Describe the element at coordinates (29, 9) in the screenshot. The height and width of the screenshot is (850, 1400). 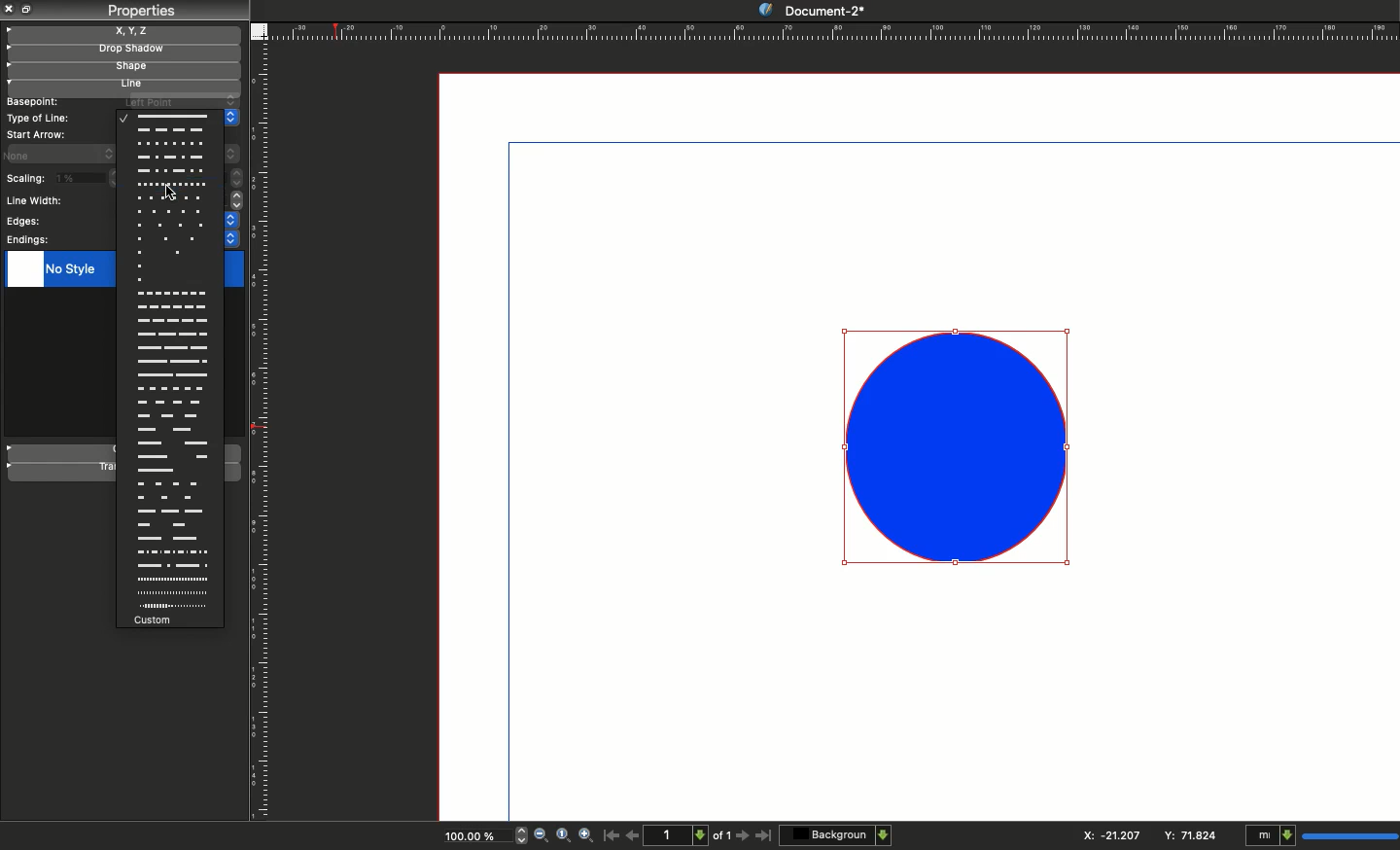
I see `Collapse` at that location.